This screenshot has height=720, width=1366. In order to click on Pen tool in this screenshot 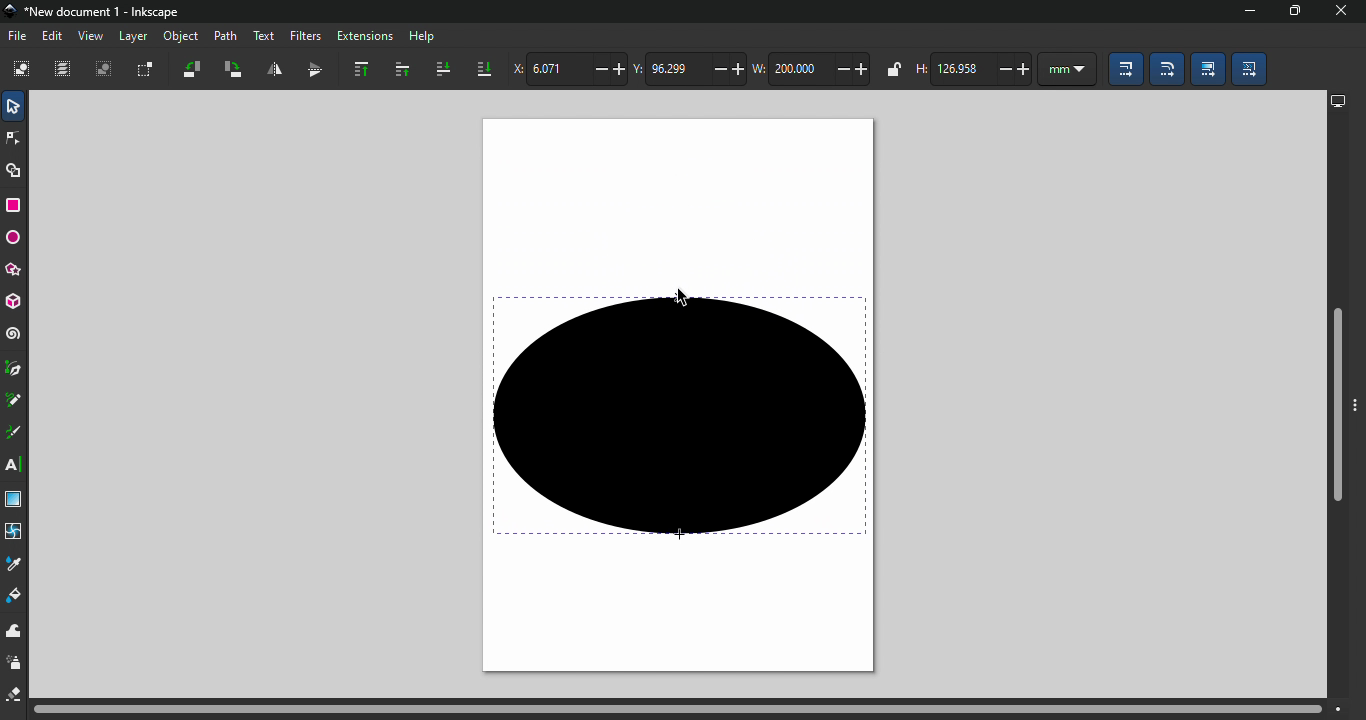, I will do `click(18, 368)`.